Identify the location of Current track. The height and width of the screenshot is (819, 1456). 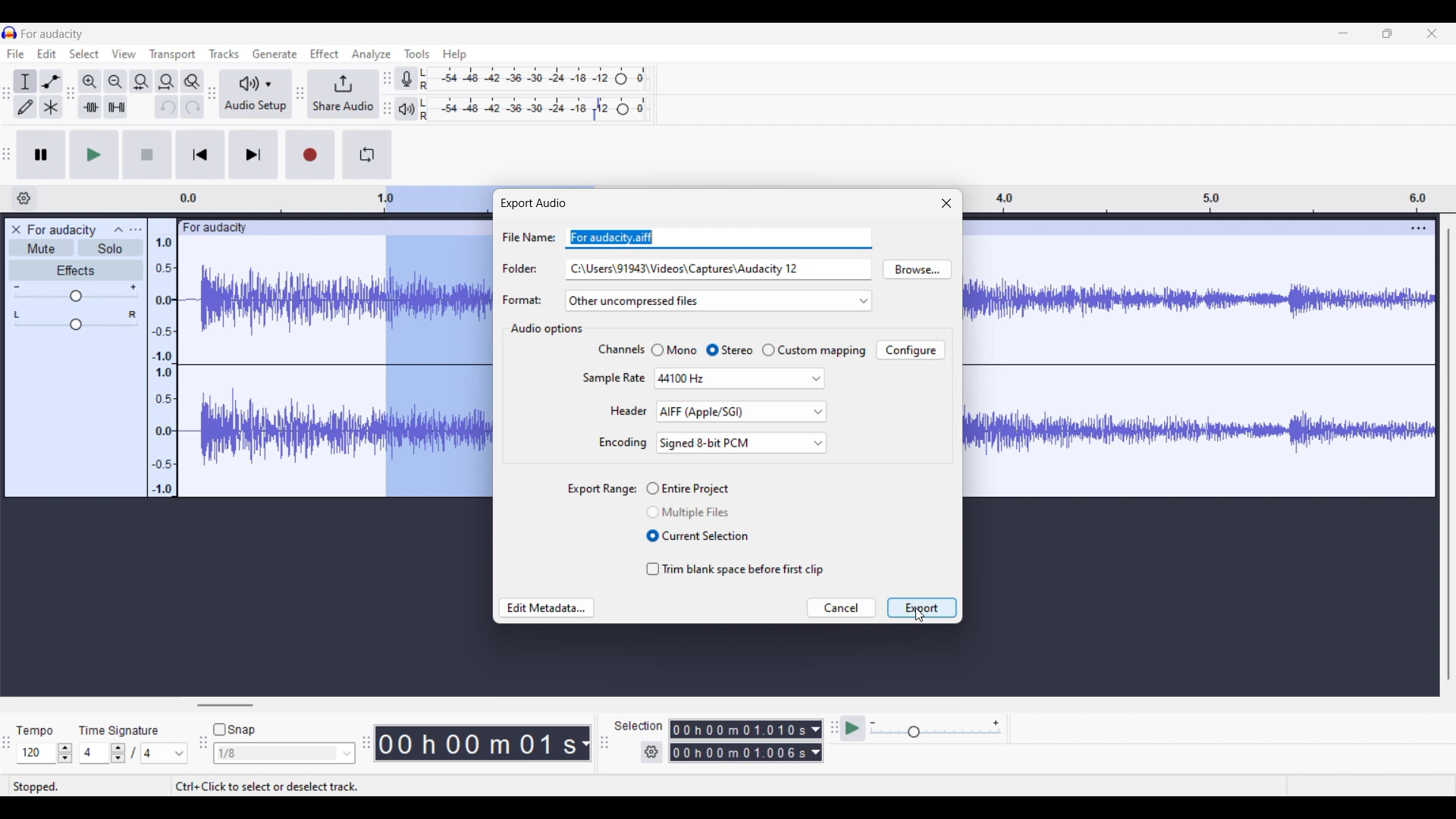
(279, 359).